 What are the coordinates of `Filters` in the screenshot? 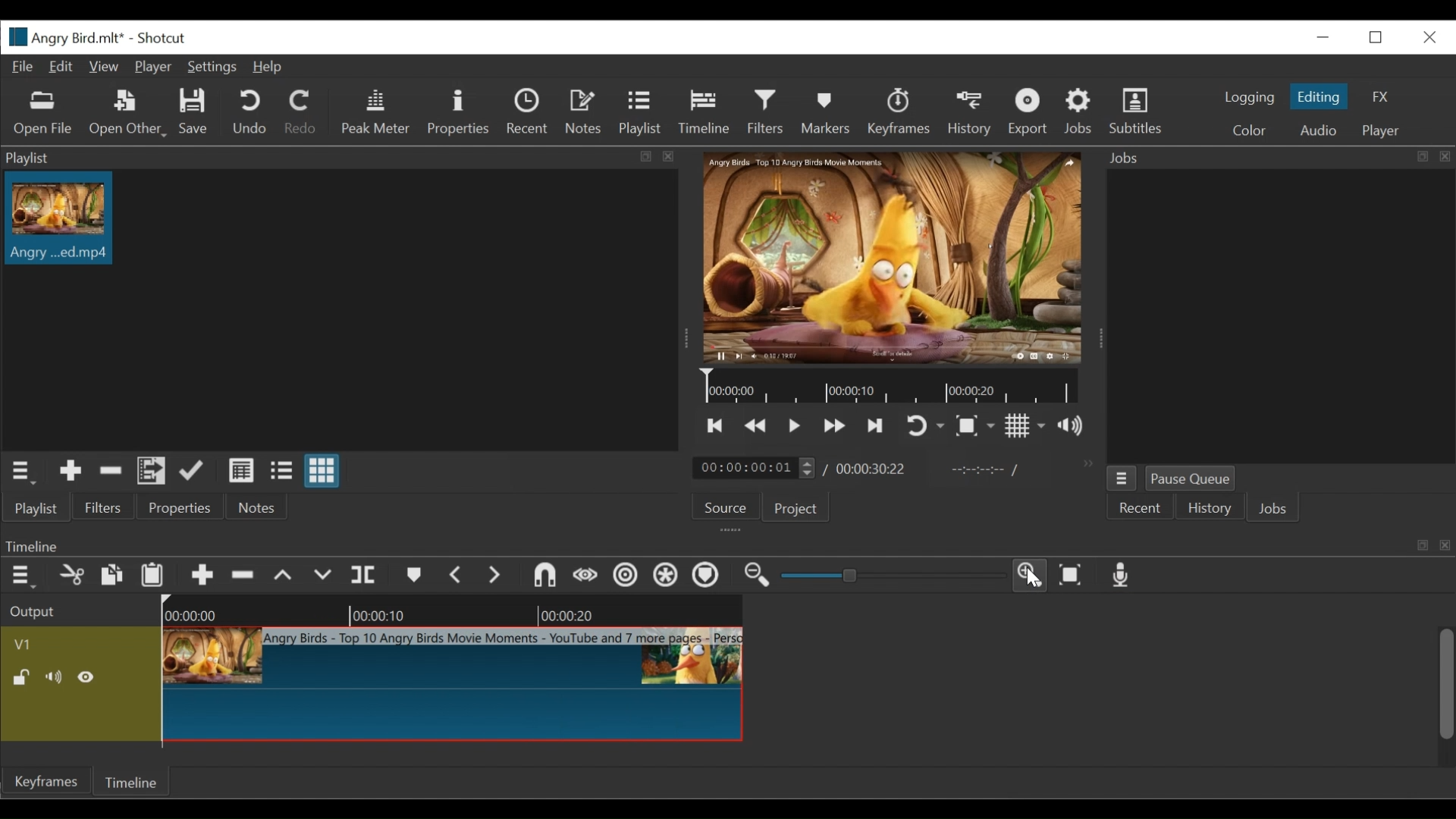 It's located at (767, 111).